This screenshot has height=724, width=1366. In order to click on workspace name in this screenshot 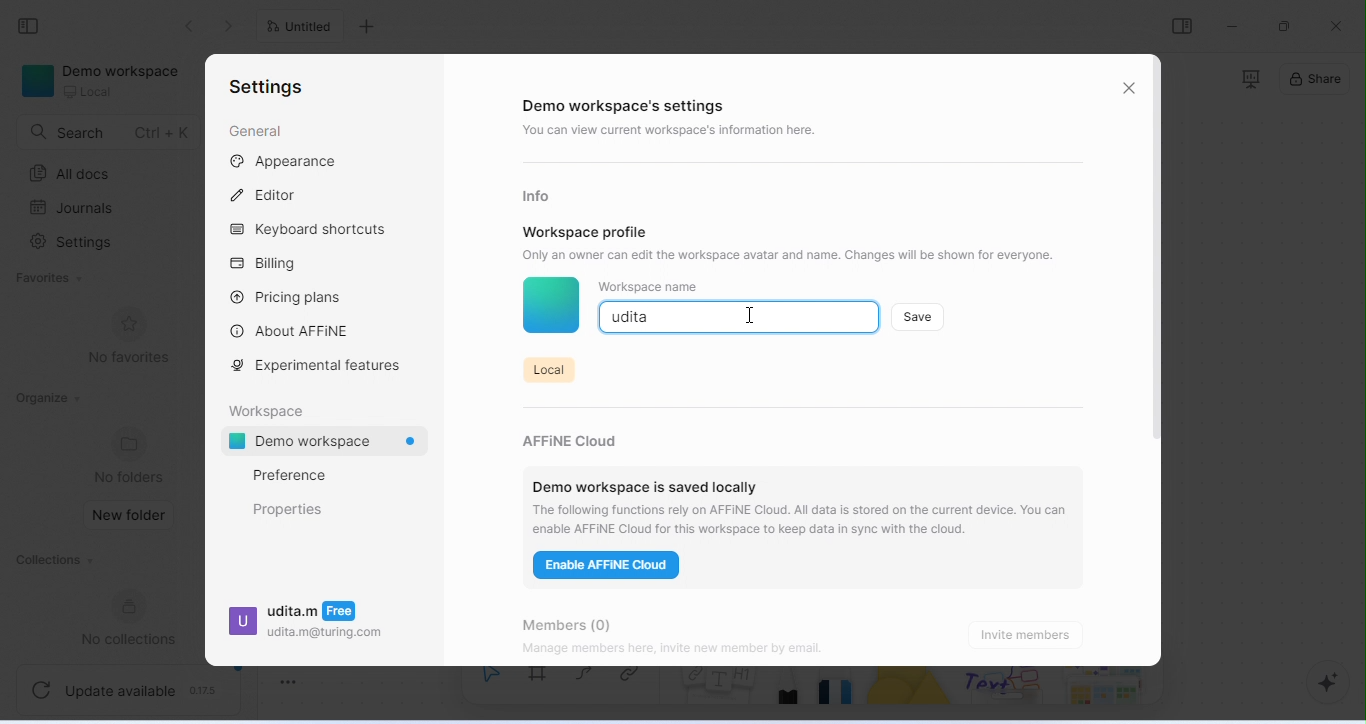, I will do `click(649, 287)`.